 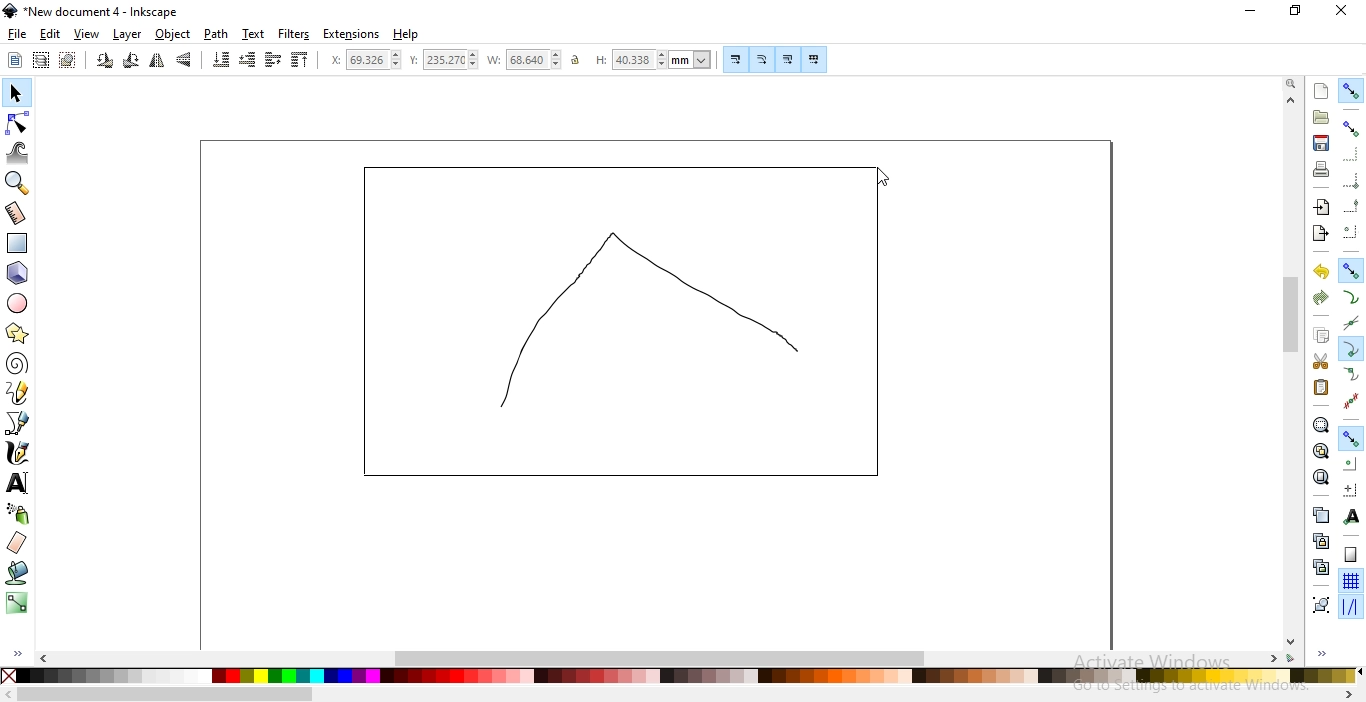 What do you see at coordinates (1349, 269) in the screenshot?
I see `snap nodes, paths and handles` at bounding box center [1349, 269].